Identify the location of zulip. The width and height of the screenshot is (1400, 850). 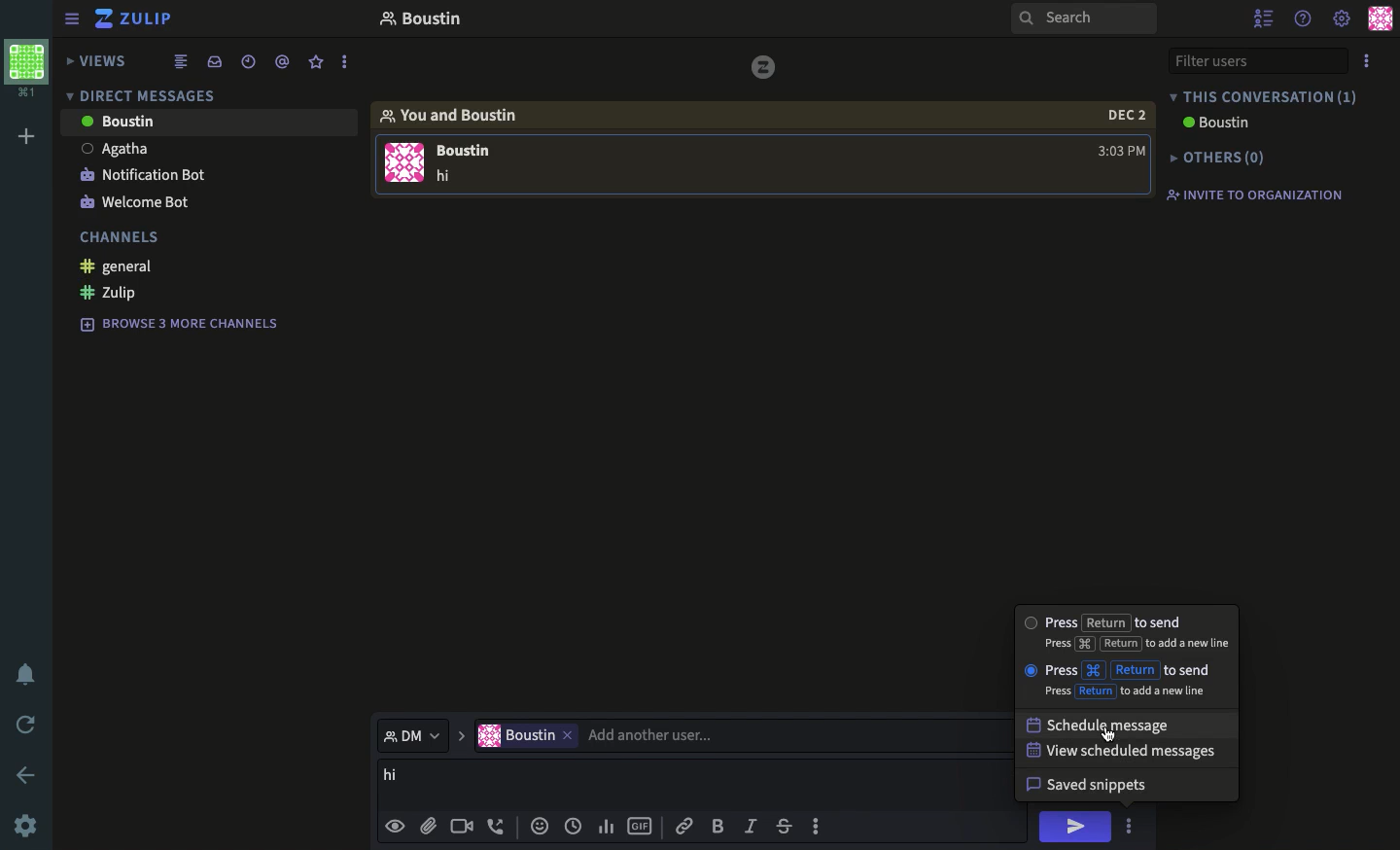
(767, 71).